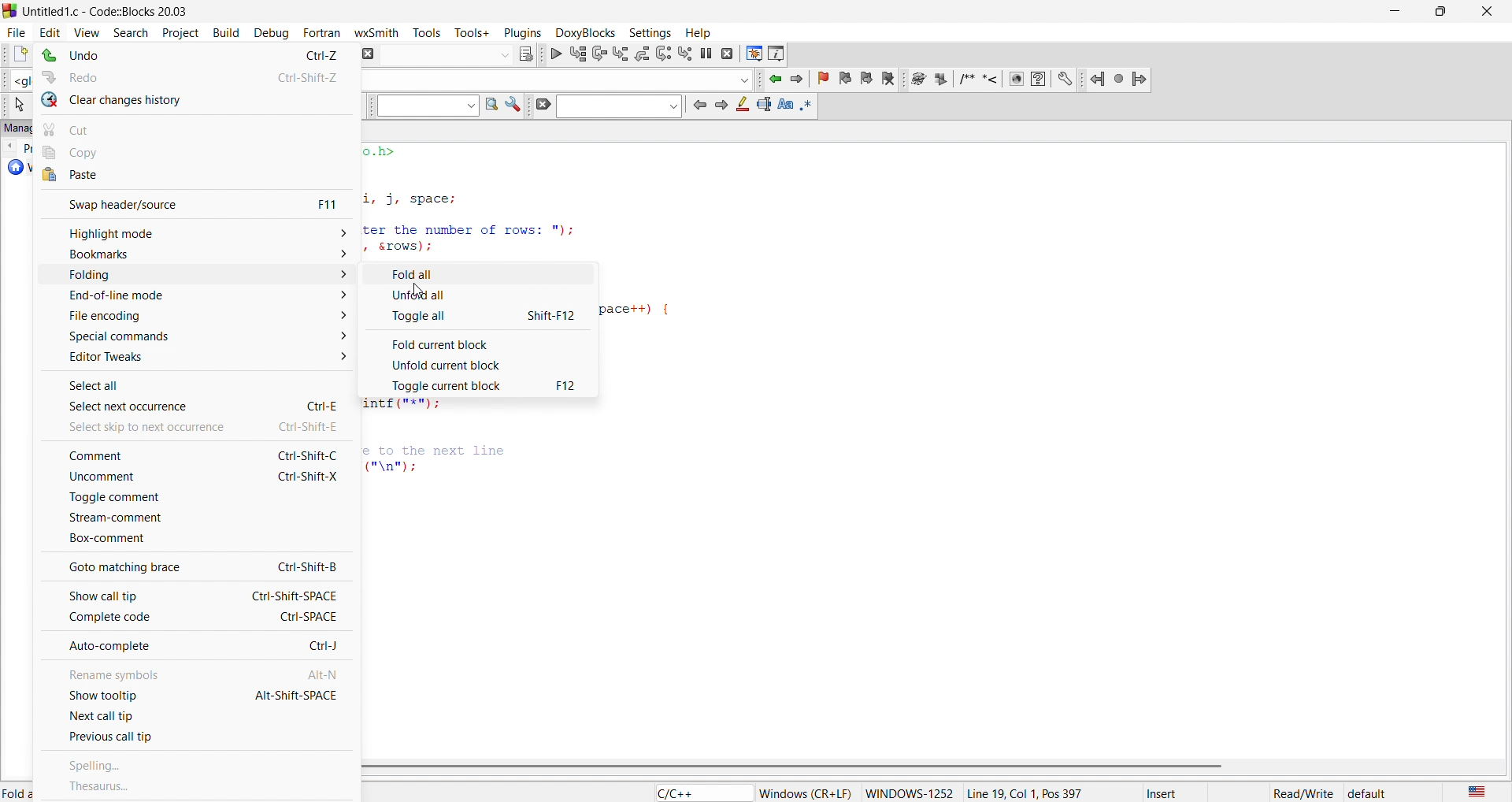  I want to click on input box, so click(443, 54).